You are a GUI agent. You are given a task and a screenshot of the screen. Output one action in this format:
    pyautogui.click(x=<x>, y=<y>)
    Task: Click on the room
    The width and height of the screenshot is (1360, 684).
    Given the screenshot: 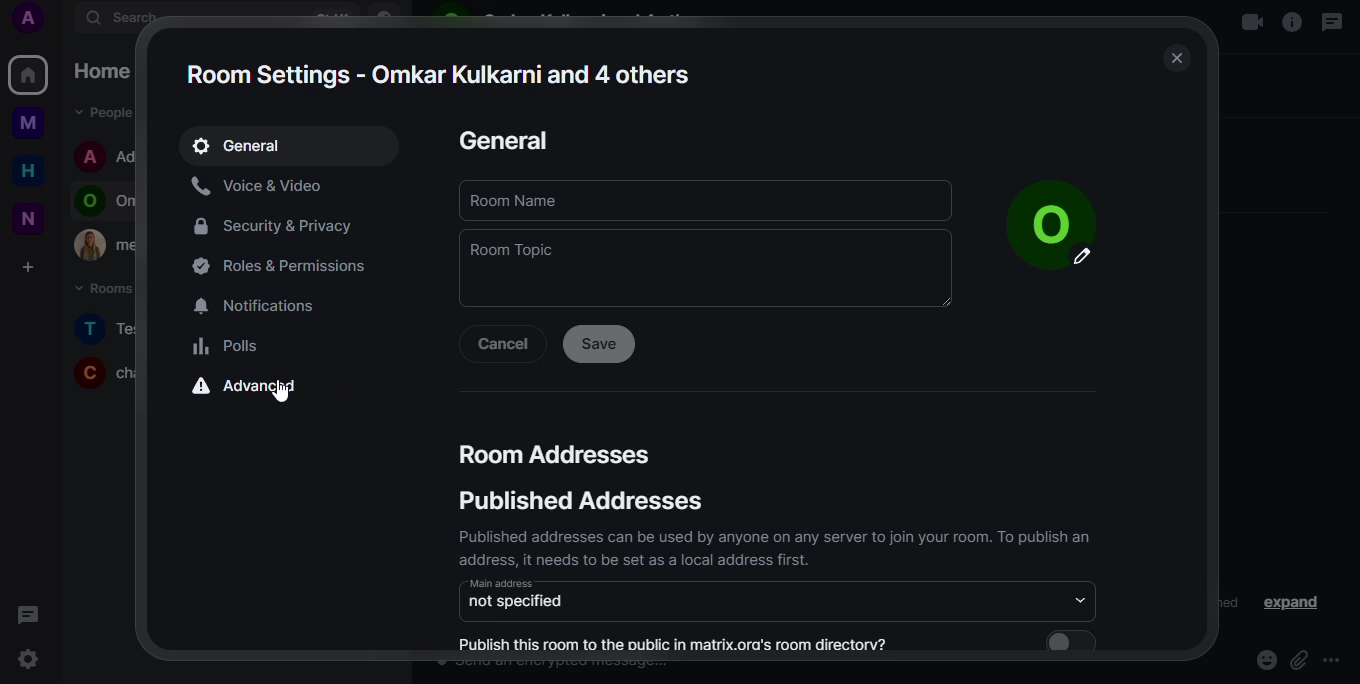 What is the action you would take?
    pyautogui.click(x=107, y=328)
    